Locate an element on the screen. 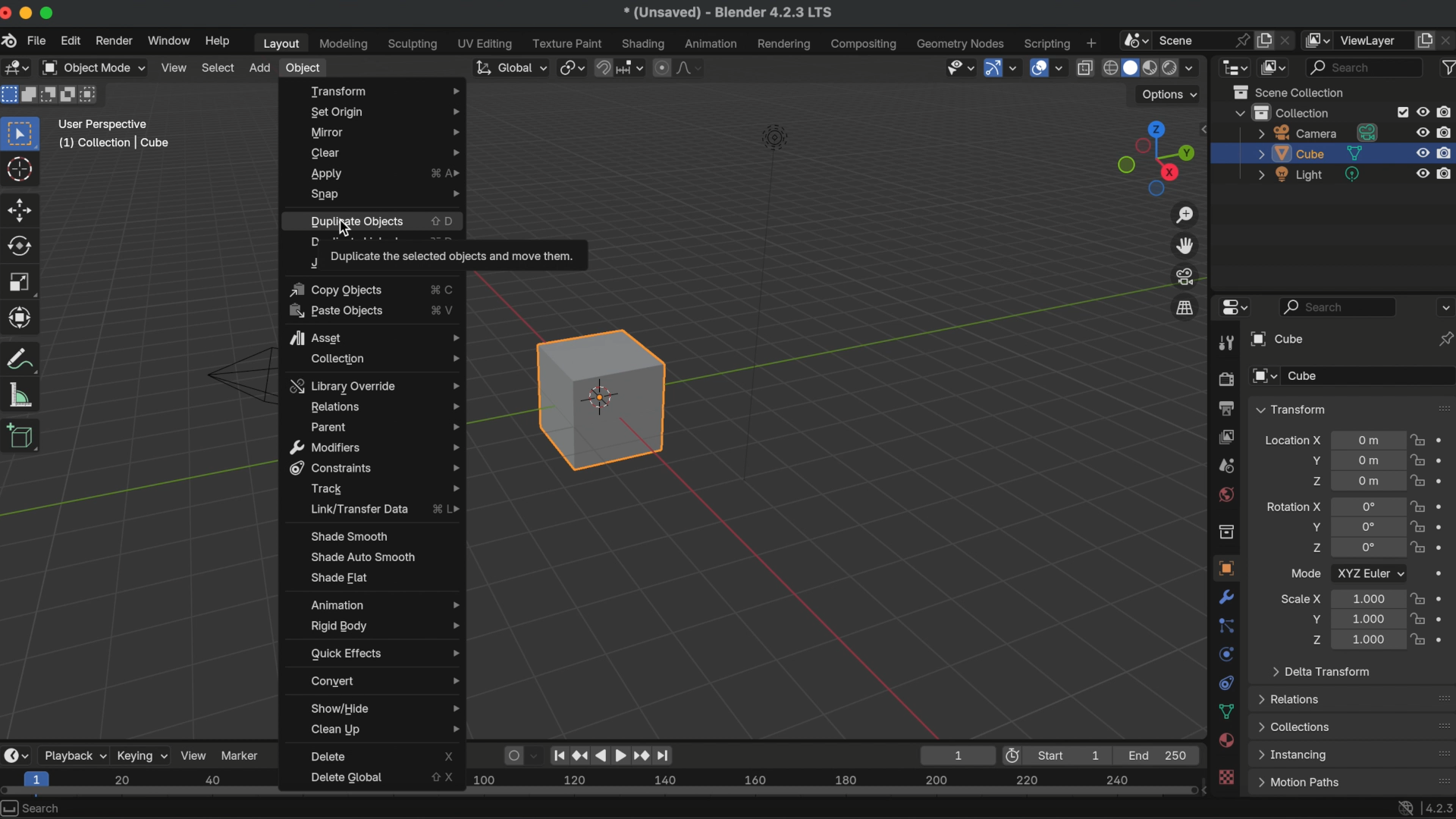 Image resolution: width=1456 pixels, height=819 pixels. geometry nodes is located at coordinates (962, 43).